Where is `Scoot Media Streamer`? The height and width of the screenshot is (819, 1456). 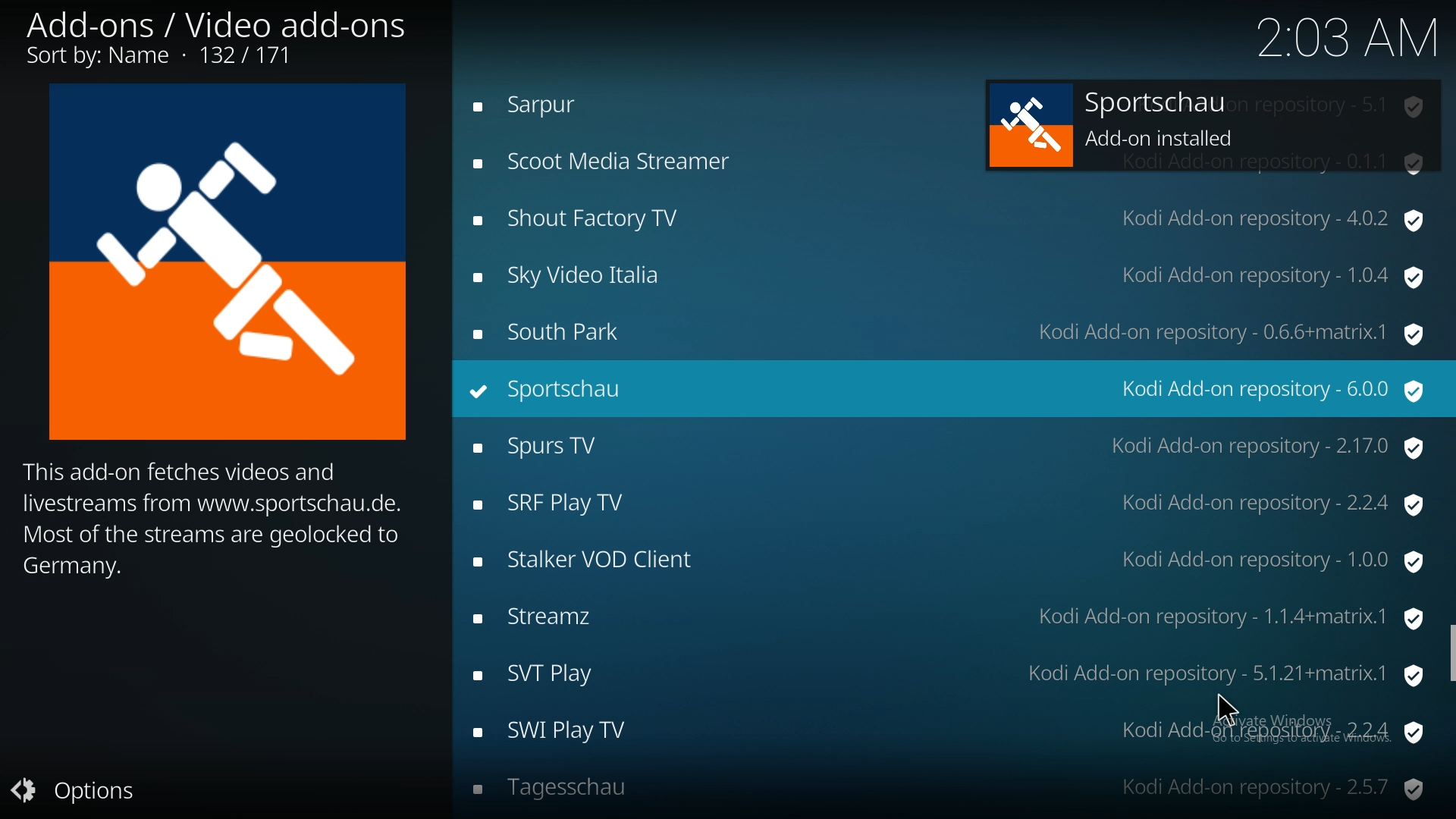 Scoot Media Streamer is located at coordinates (660, 164).